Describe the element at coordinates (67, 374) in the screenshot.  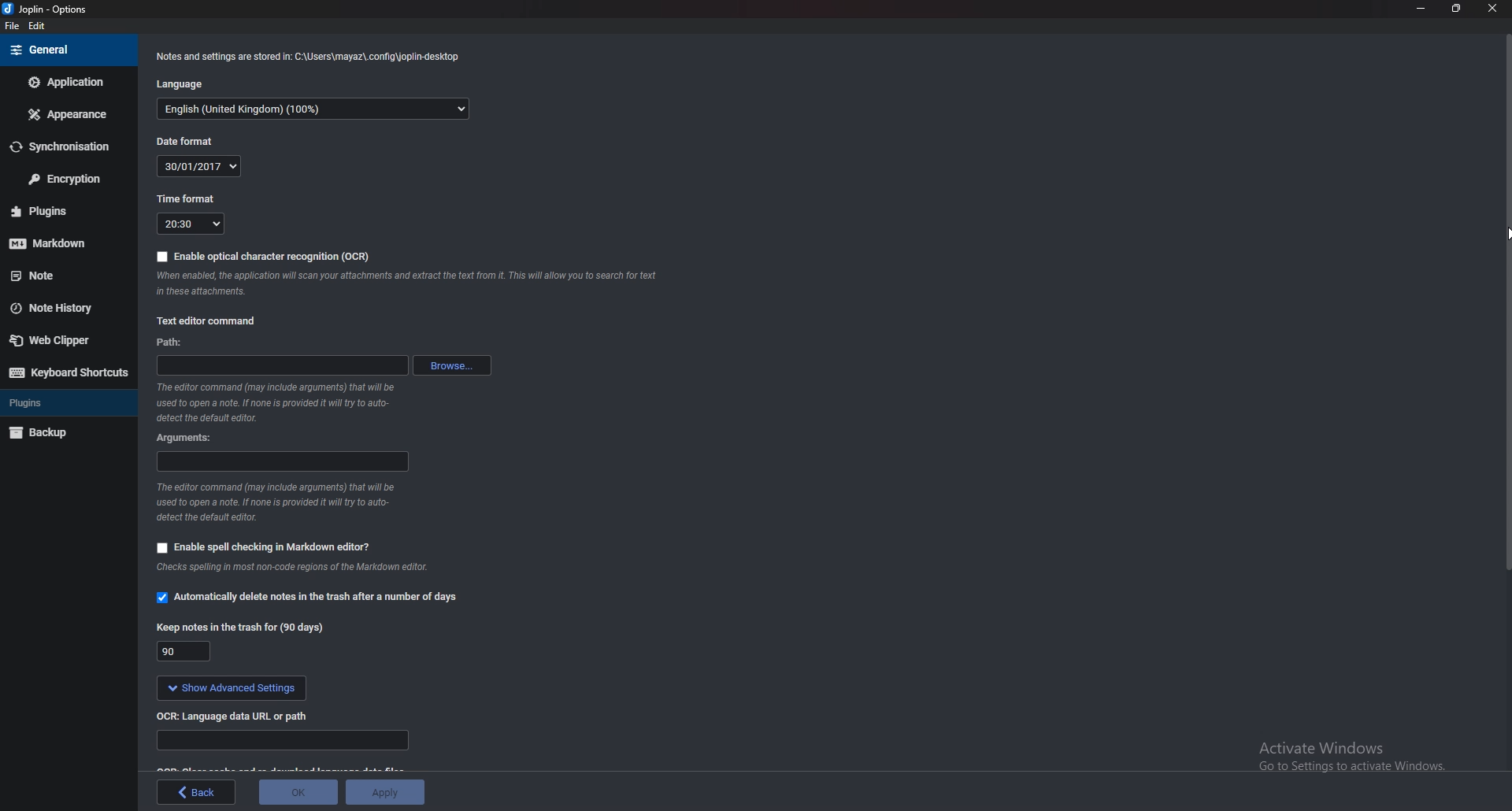
I see `Keyboard shortcuts` at that location.